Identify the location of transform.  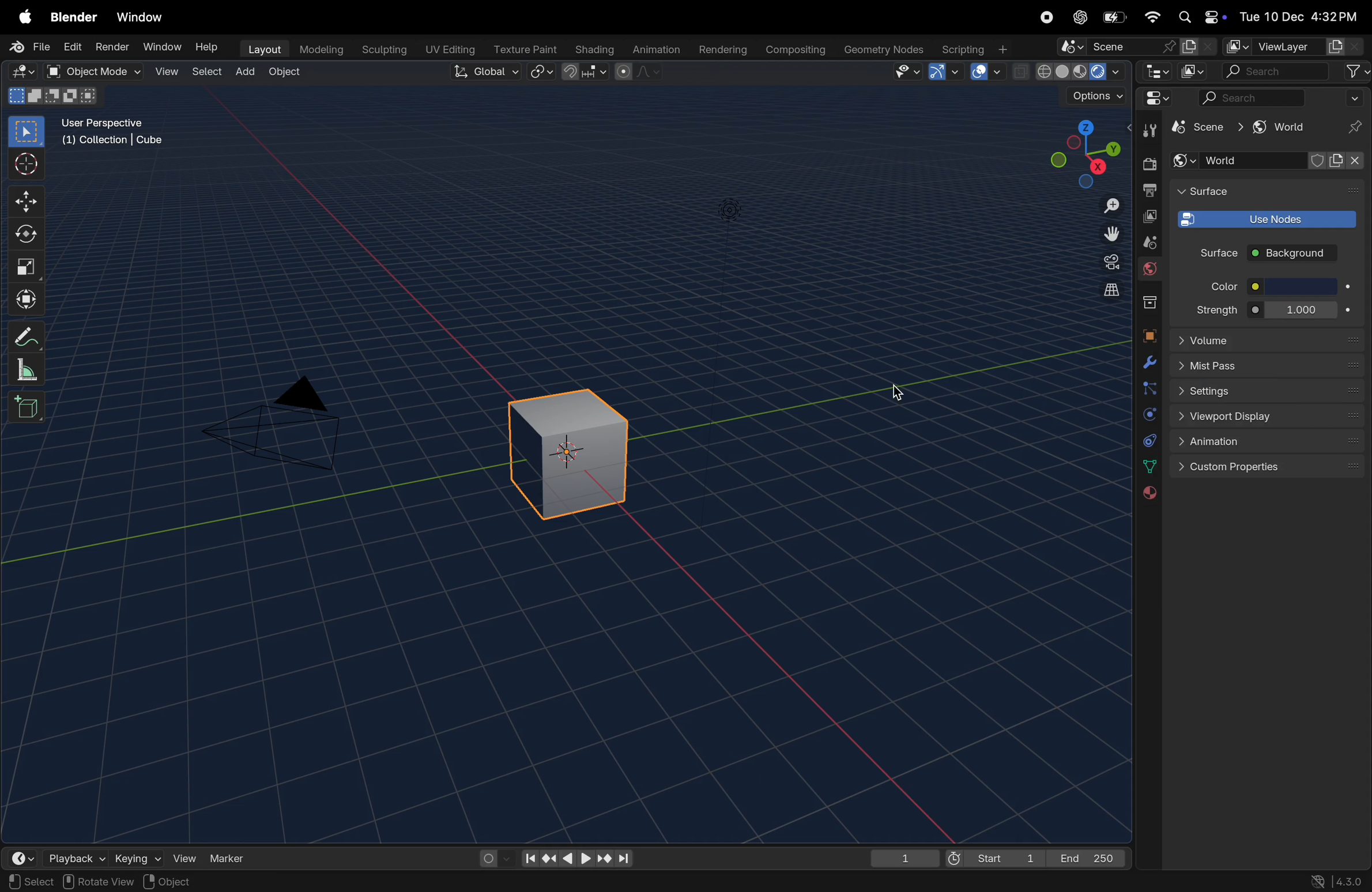
(29, 235).